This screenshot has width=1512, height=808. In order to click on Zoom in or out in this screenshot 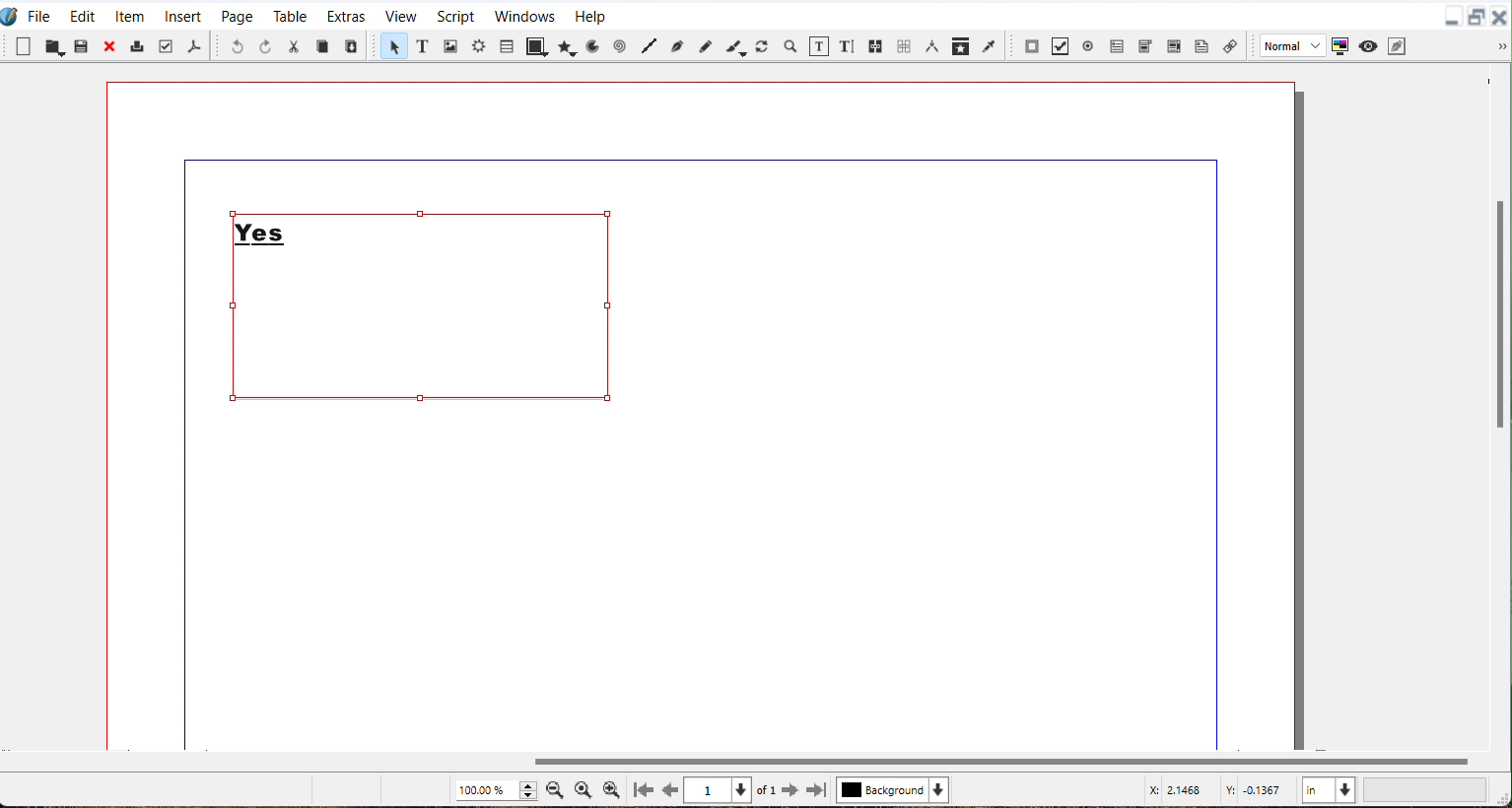, I will do `click(791, 46)`.